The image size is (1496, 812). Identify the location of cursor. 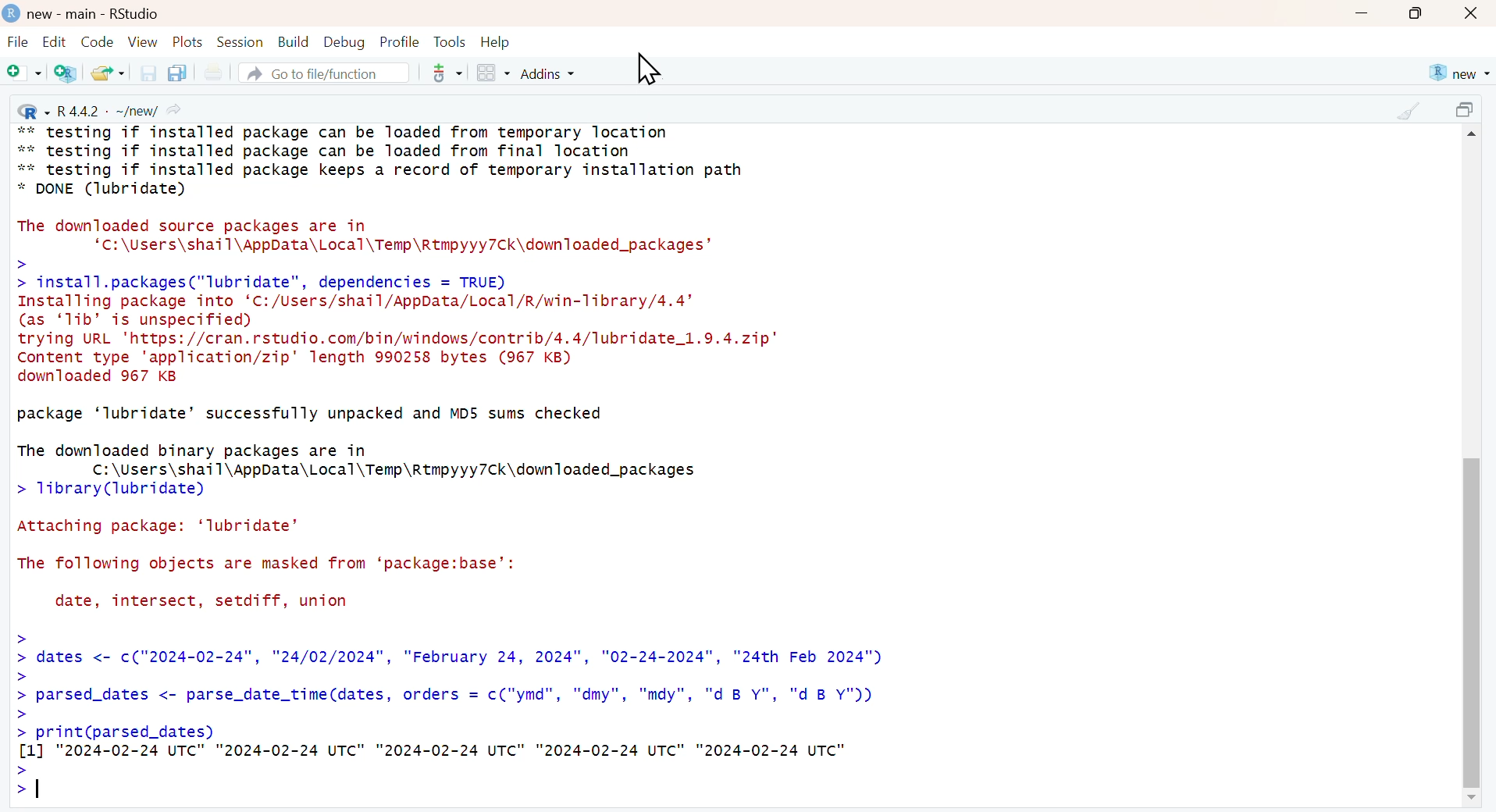
(648, 67).